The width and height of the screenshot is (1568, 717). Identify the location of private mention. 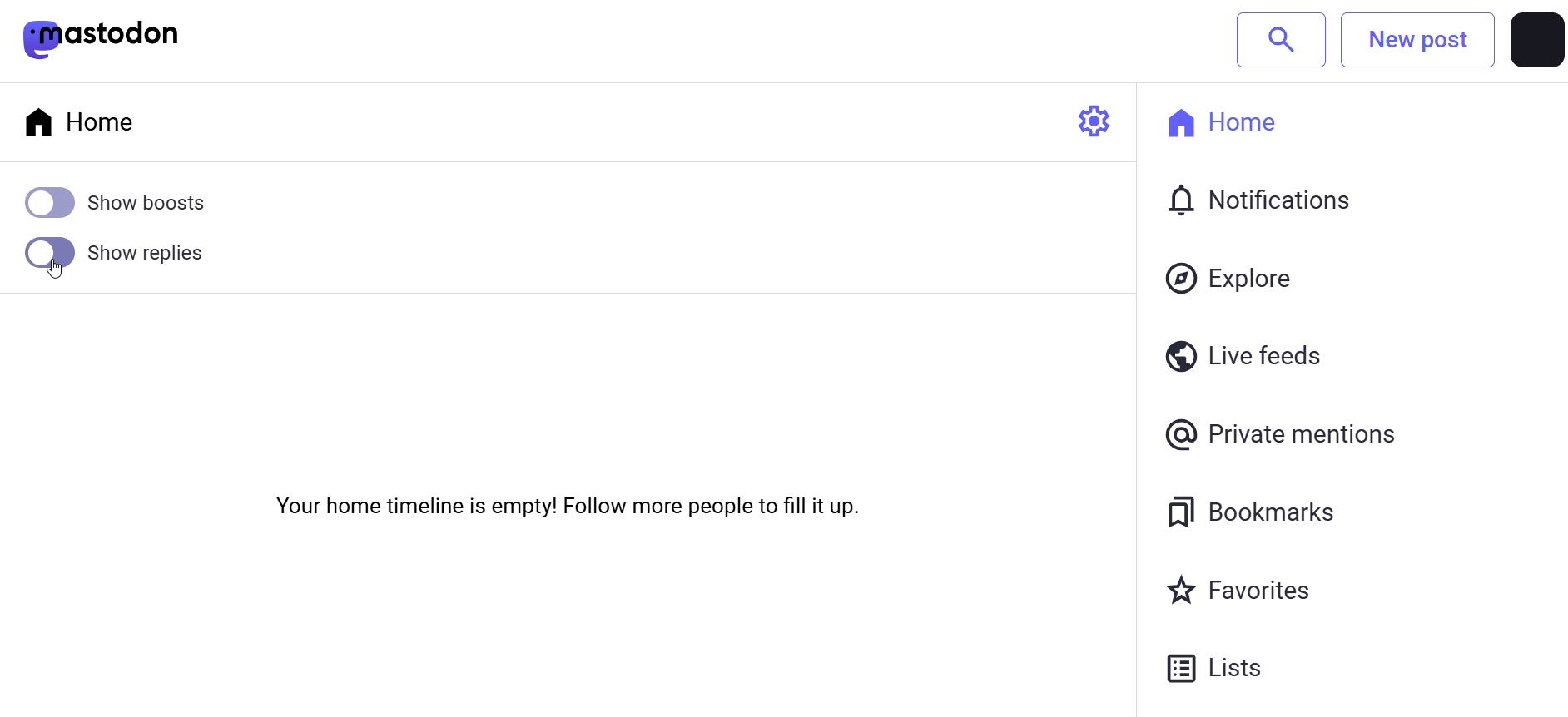
(1290, 433).